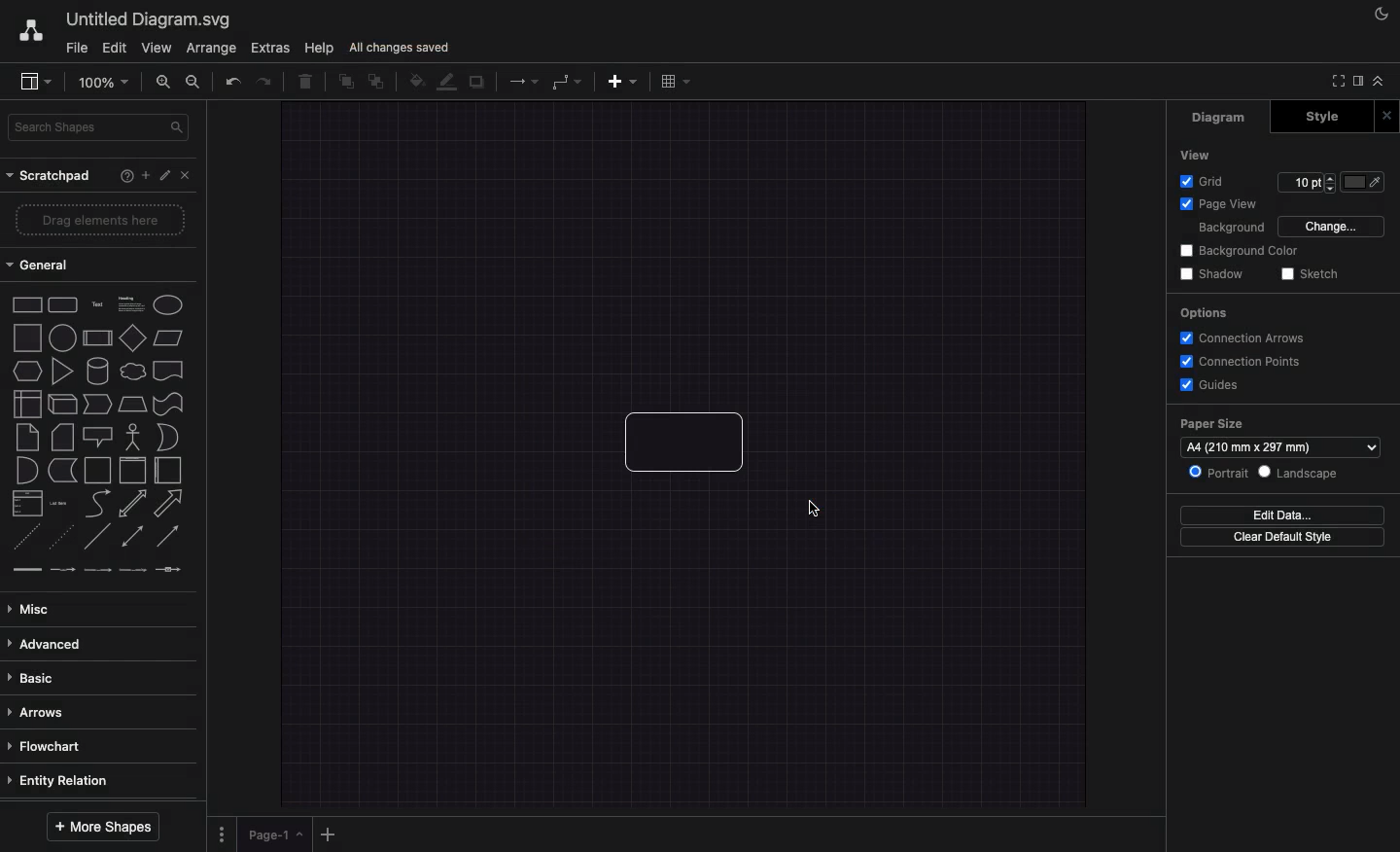 The image size is (1400, 852). Describe the element at coordinates (1381, 14) in the screenshot. I see `Night mode` at that location.